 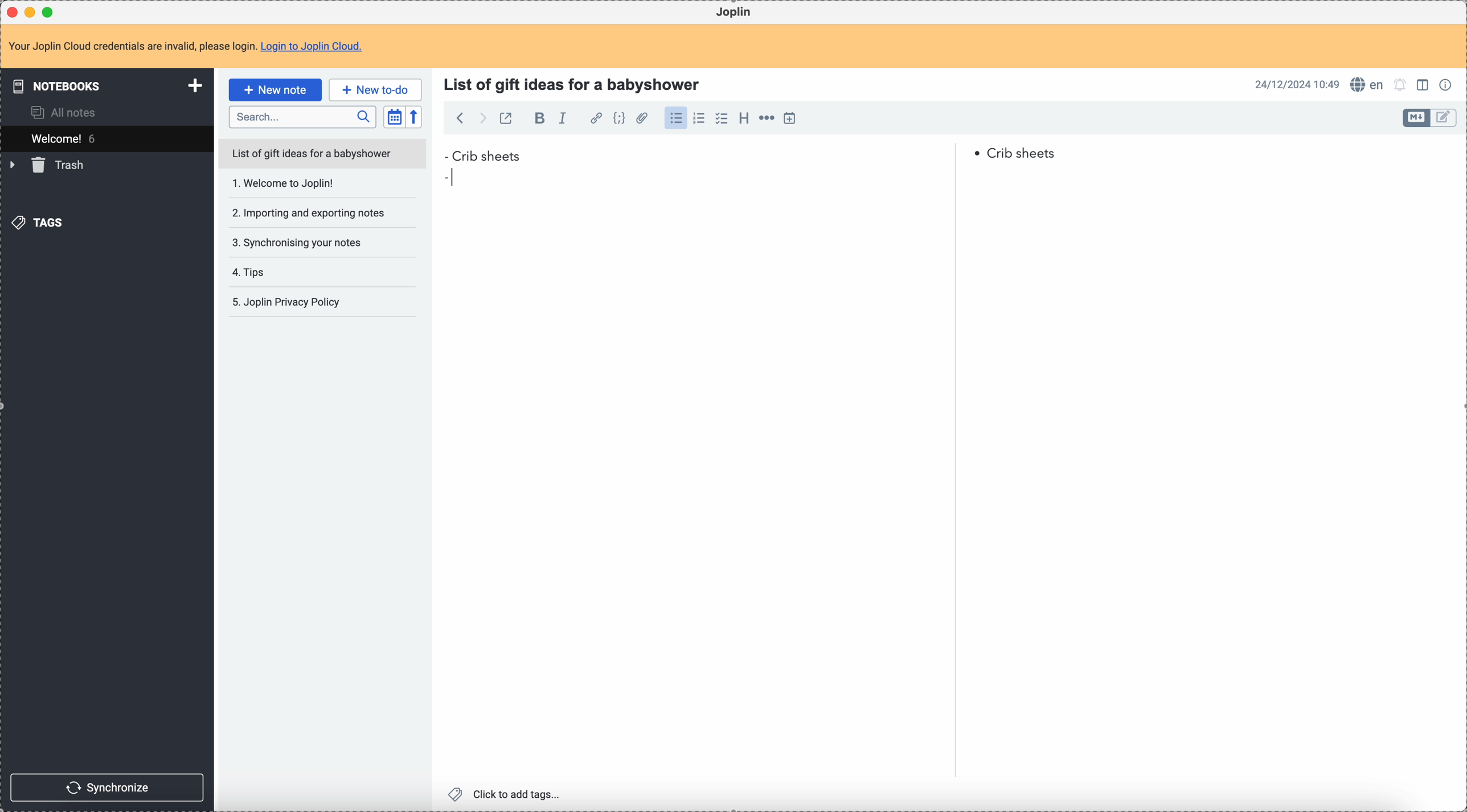 I want to click on click on bulleted list, so click(x=679, y=119).